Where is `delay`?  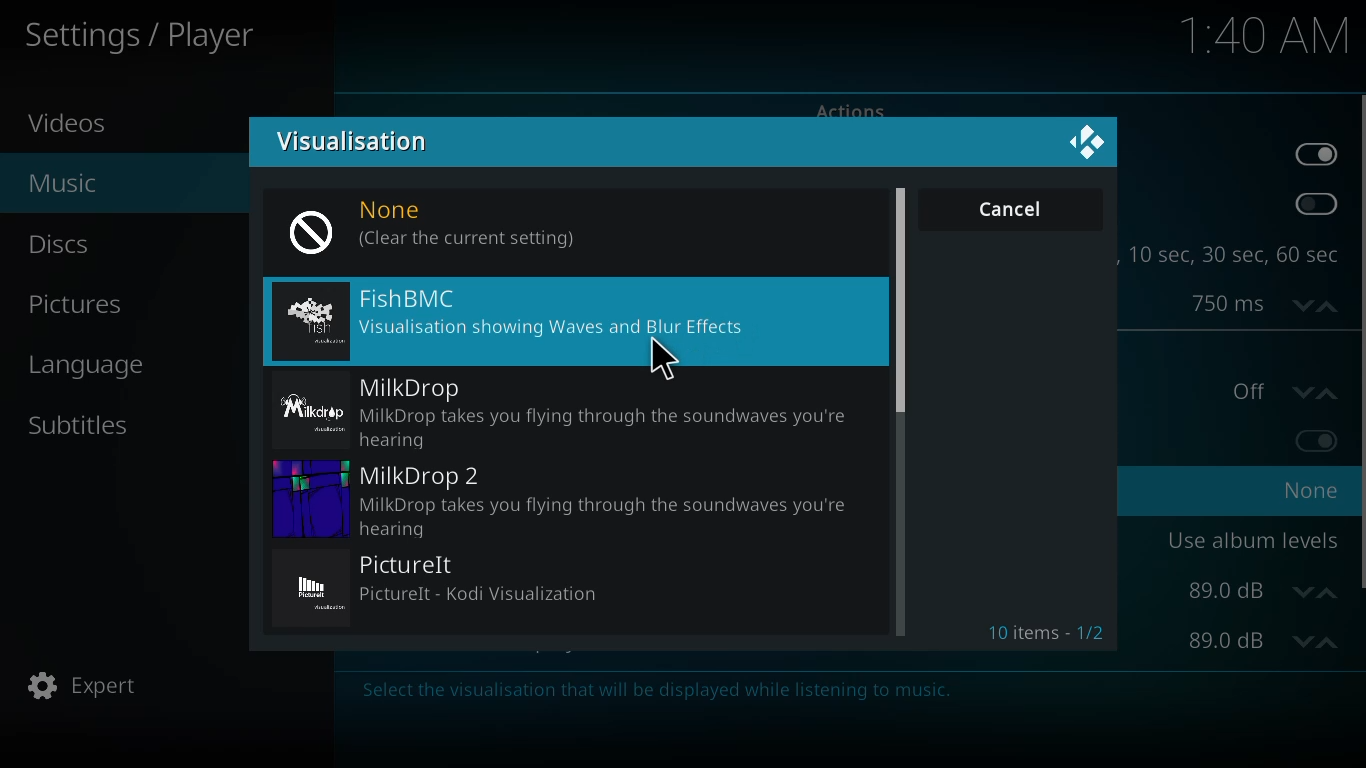
delay is located at coordinates (1255, 303).